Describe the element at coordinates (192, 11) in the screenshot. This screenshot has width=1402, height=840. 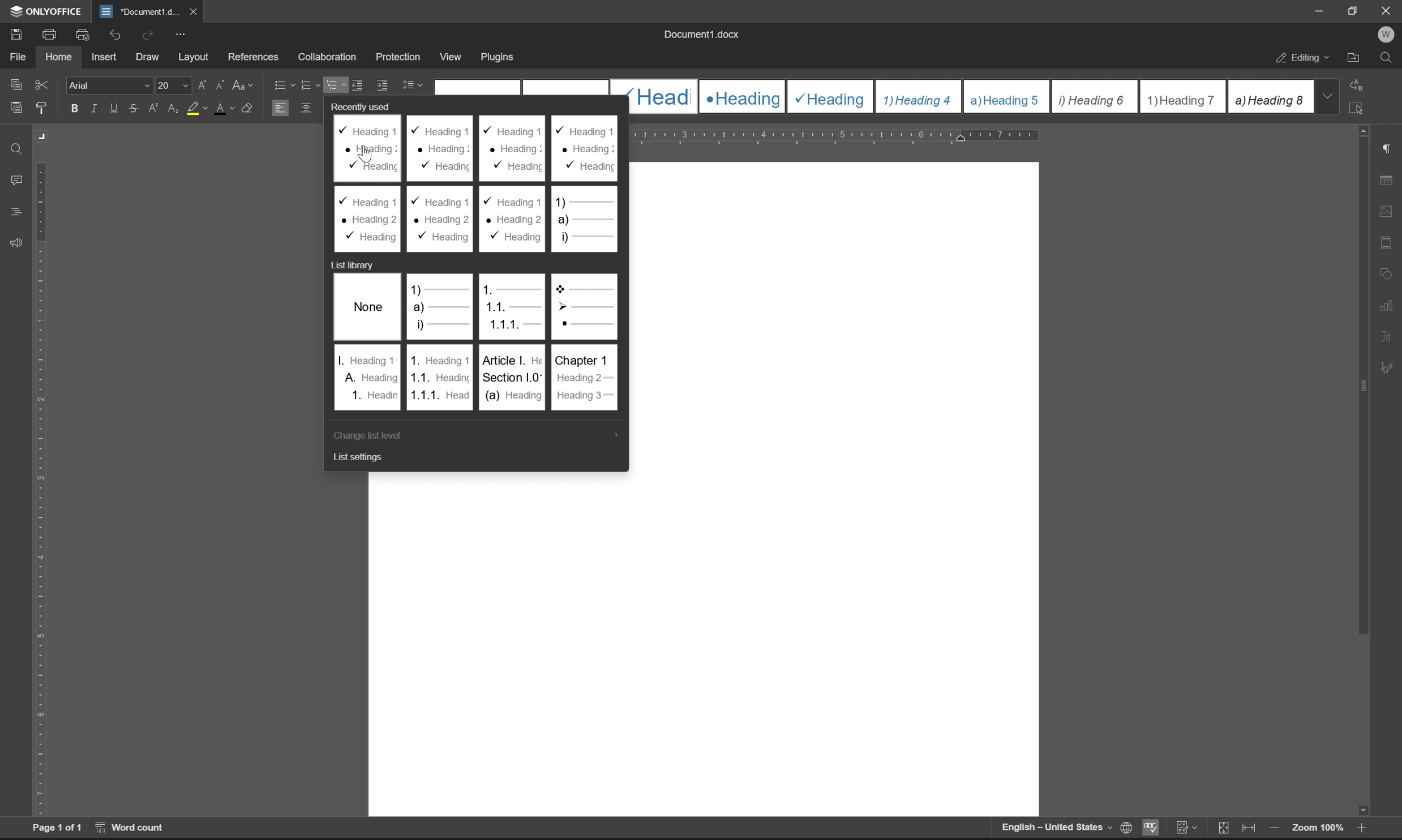
I see `close` at that location.